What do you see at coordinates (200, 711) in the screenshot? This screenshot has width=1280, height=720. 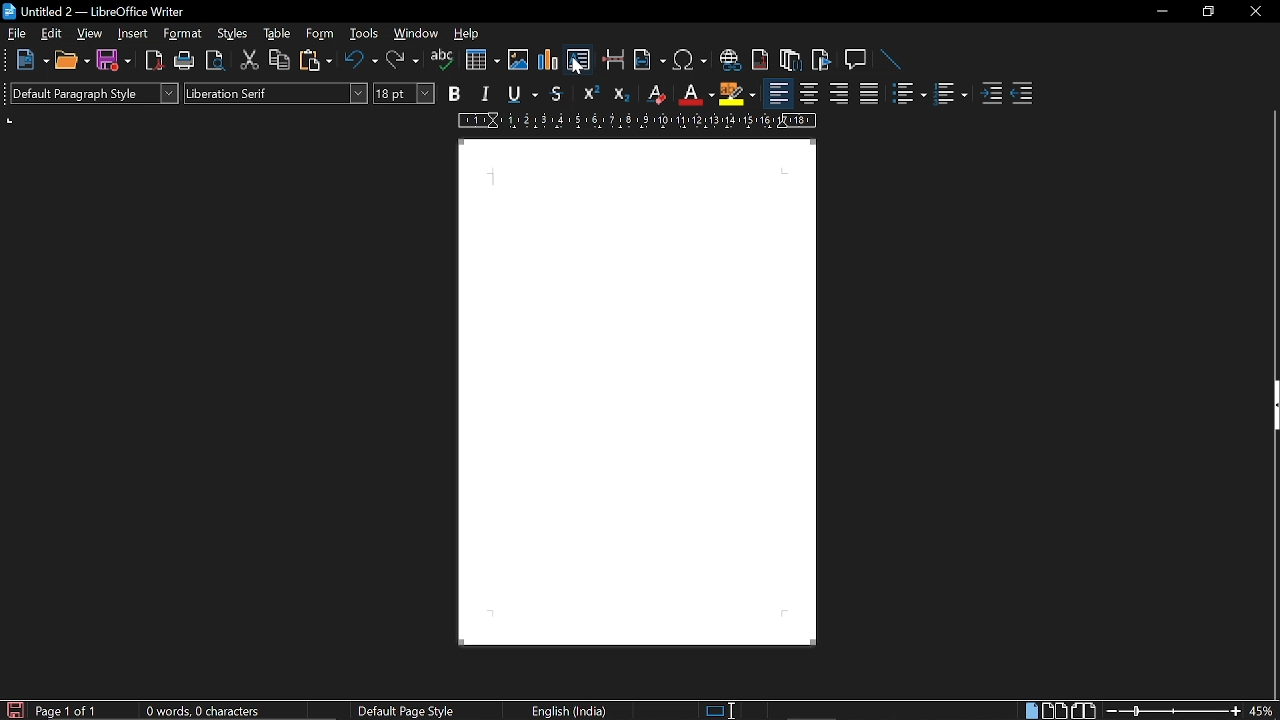 I see `0 words 0 character` at bounding box center [200, 711].